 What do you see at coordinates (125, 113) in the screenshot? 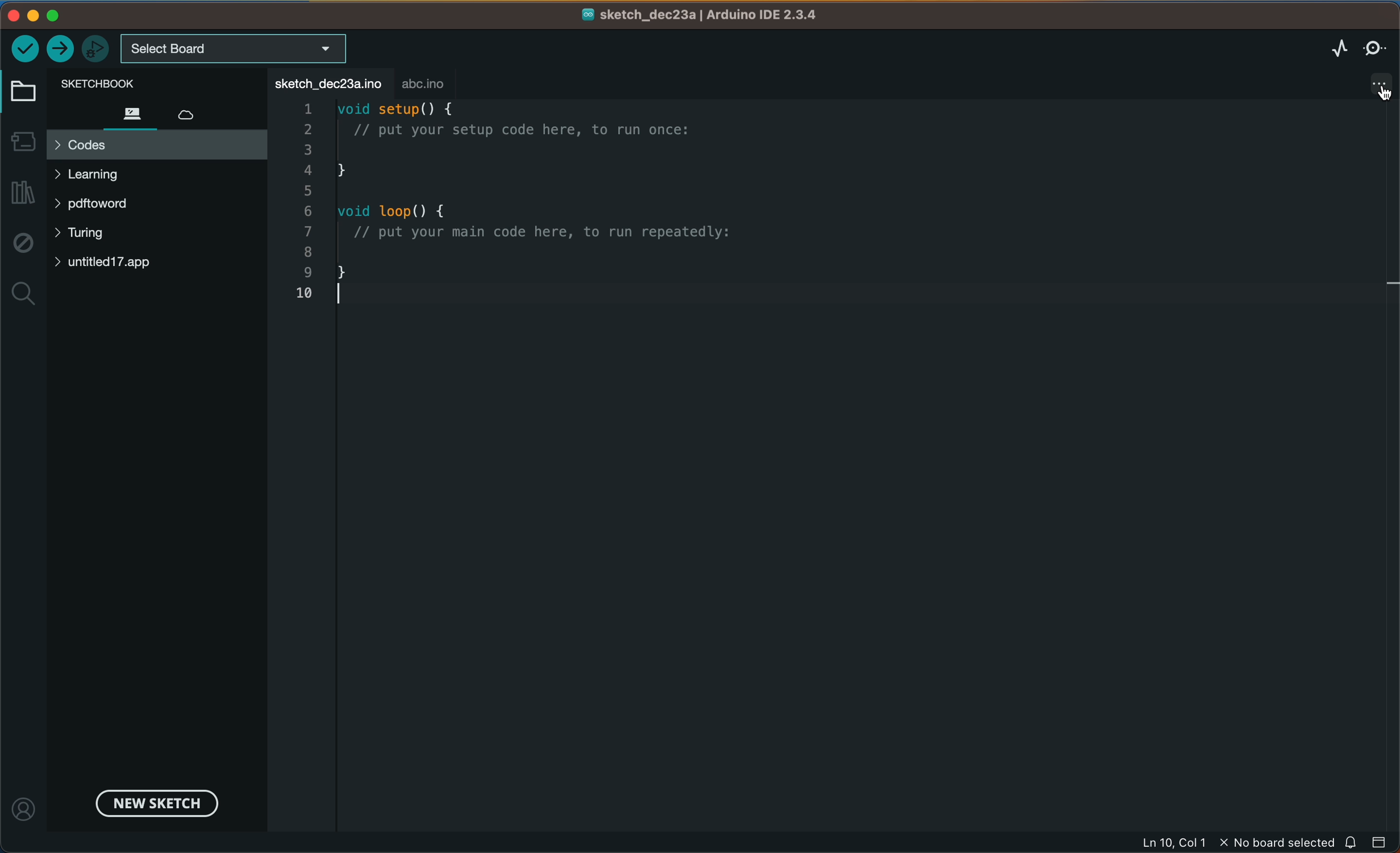
I see `files` at bounding box center [125, 113].